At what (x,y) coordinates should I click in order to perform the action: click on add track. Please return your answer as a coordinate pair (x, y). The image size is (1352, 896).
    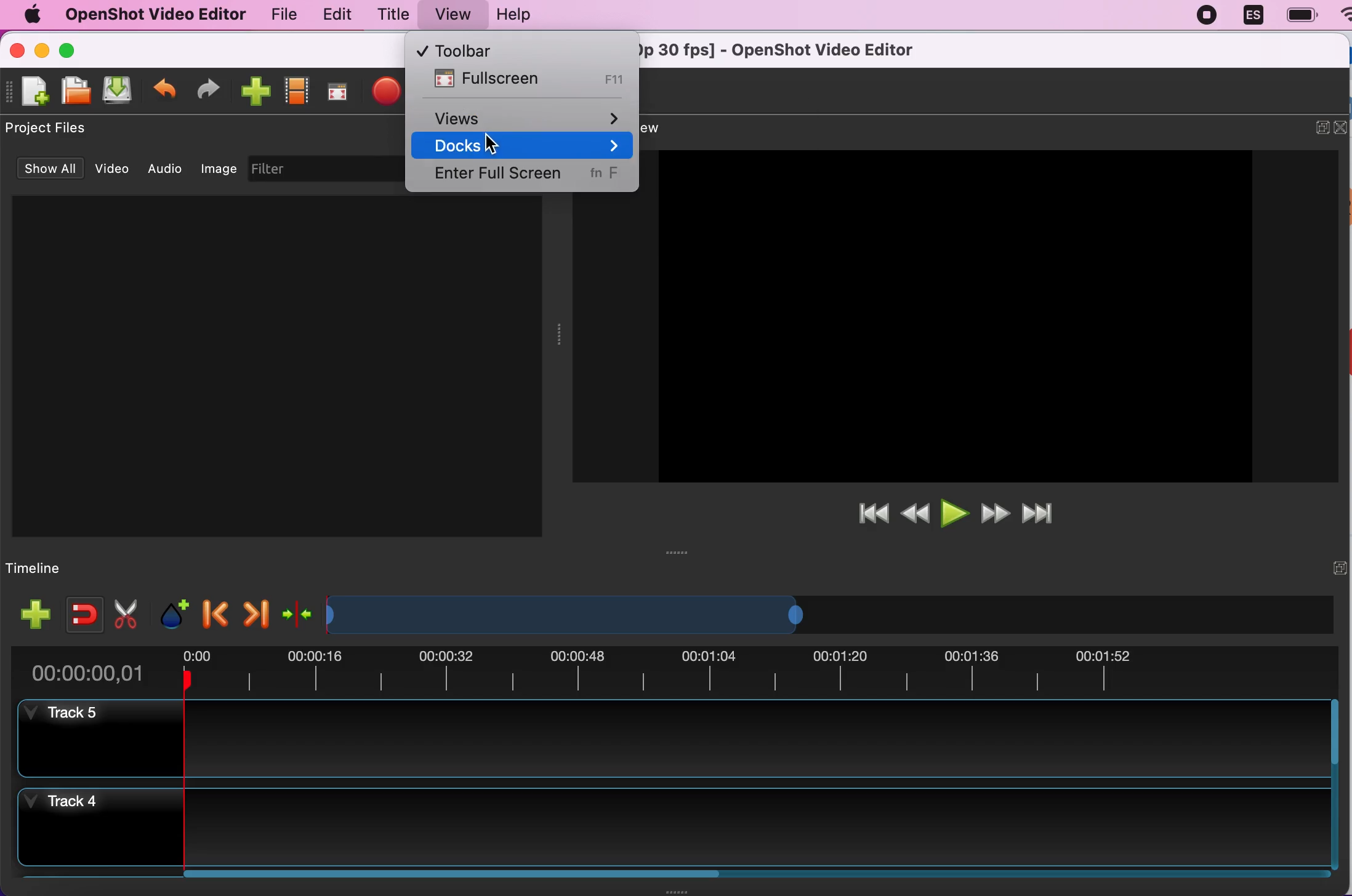
    Looking at the image, I should click on (36, 614).